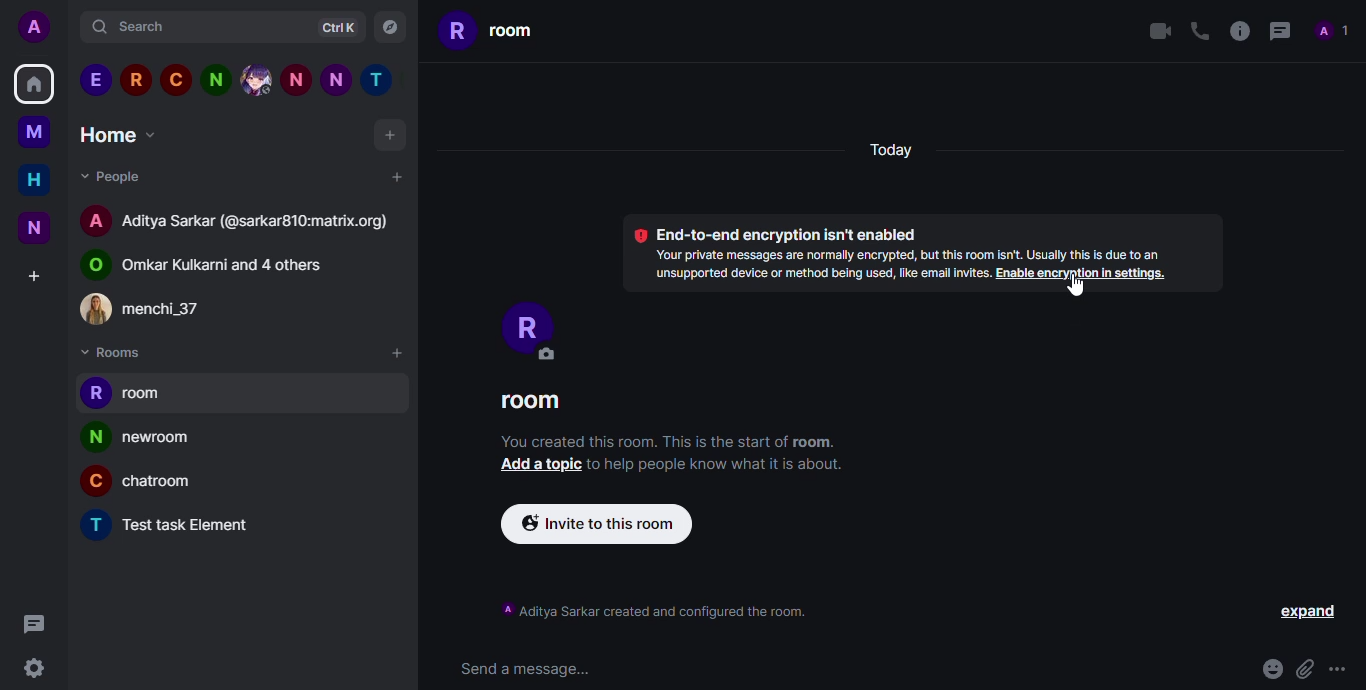  Describe the element at coordinates (121, 134) in the screenshot. I see `home` at that location.